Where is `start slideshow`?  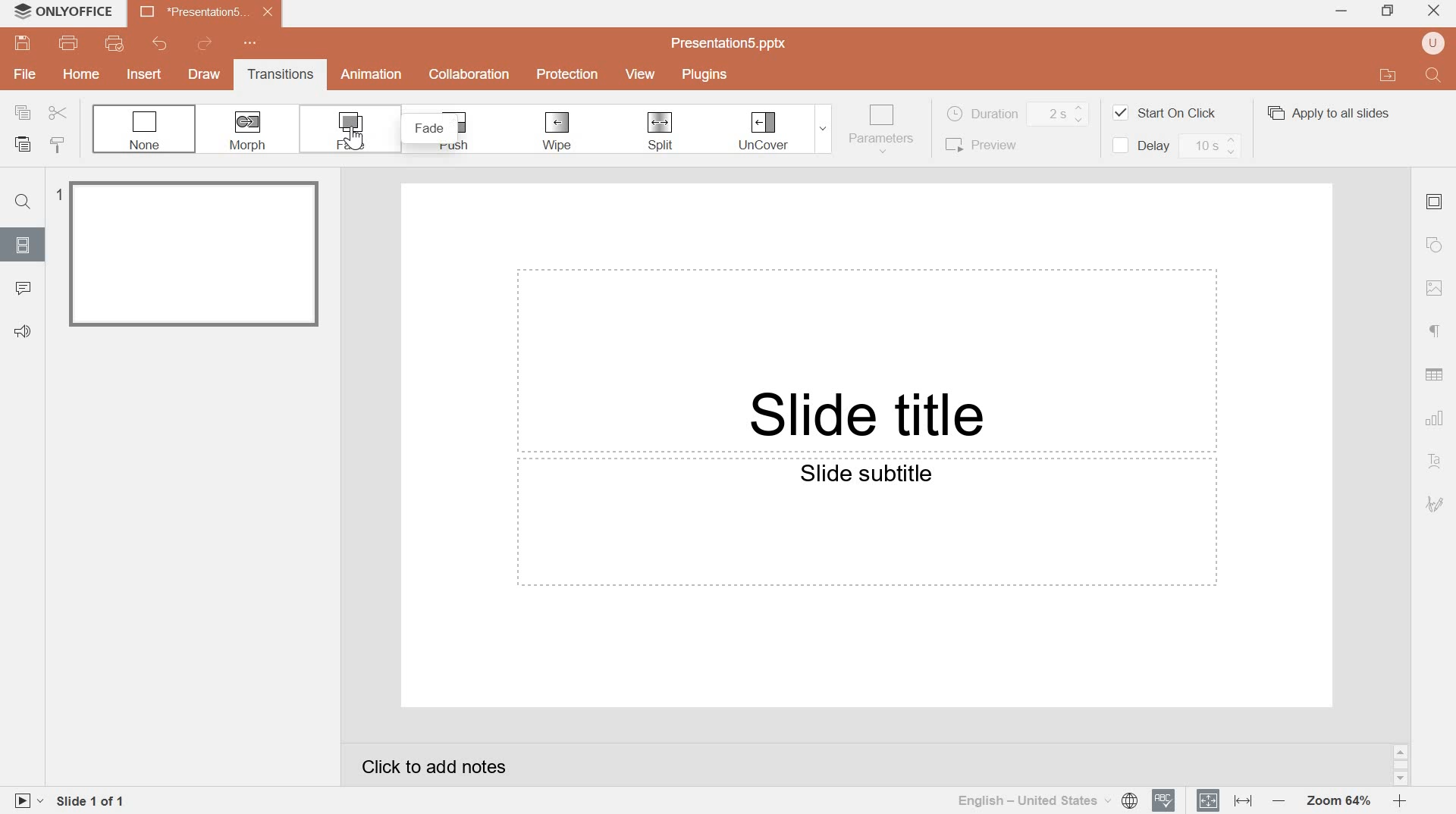
start slideshow is located at coordinates (26, 800).